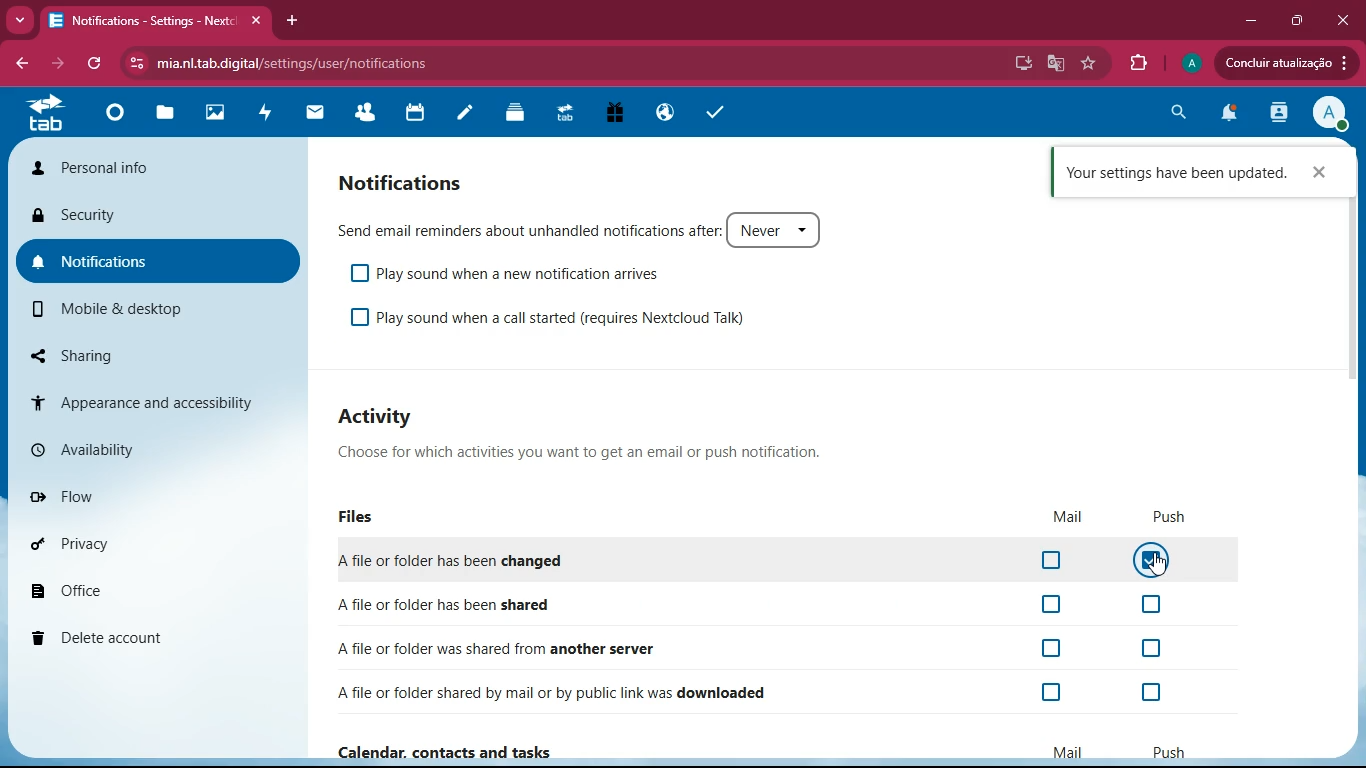 The image size is (1366, 768). What do you see at coordinates (1155, 694) in the screenshot?
I see `off` at bounding box center [1155, 694].